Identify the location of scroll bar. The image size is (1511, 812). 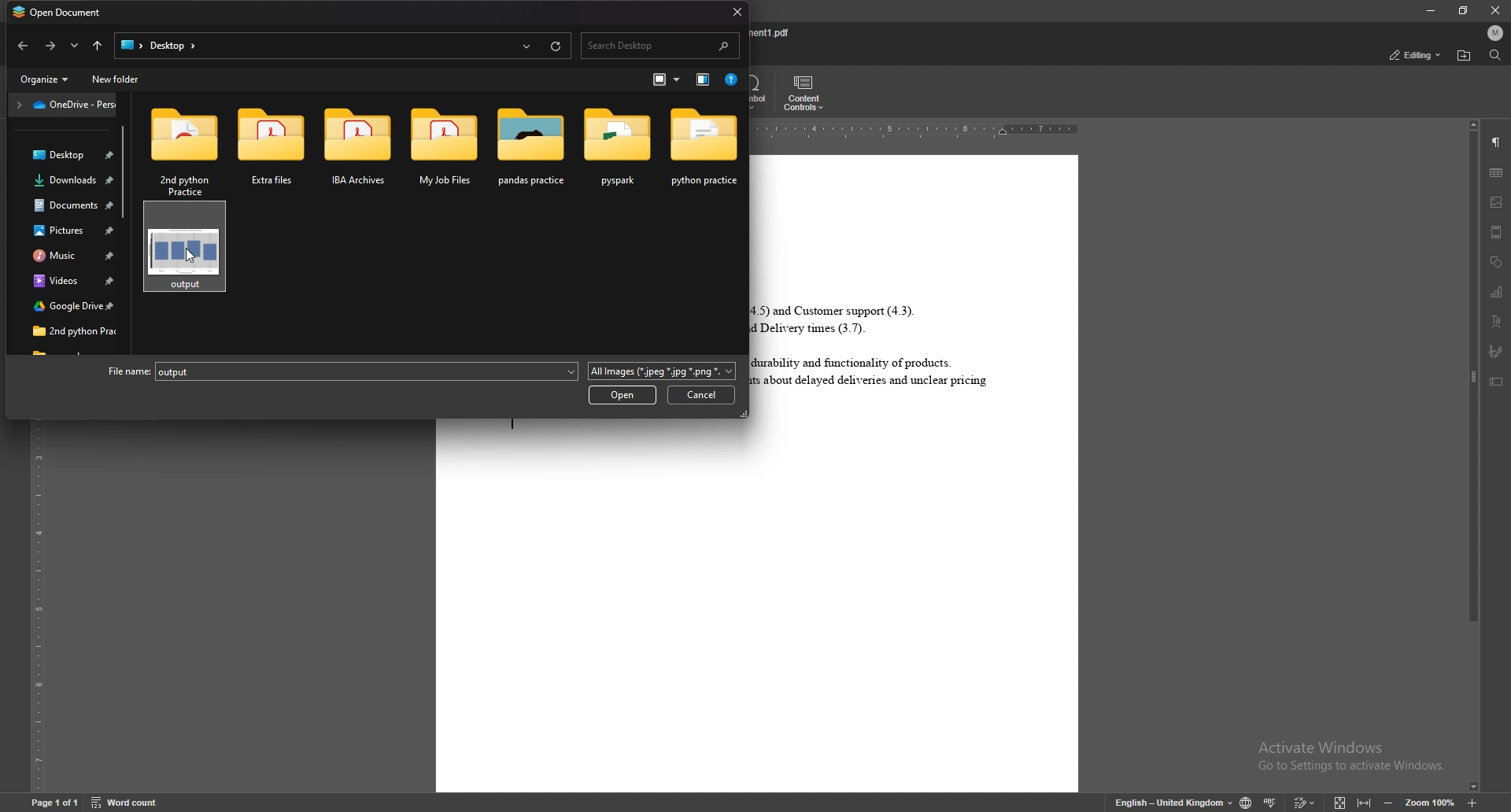
(129, 220).